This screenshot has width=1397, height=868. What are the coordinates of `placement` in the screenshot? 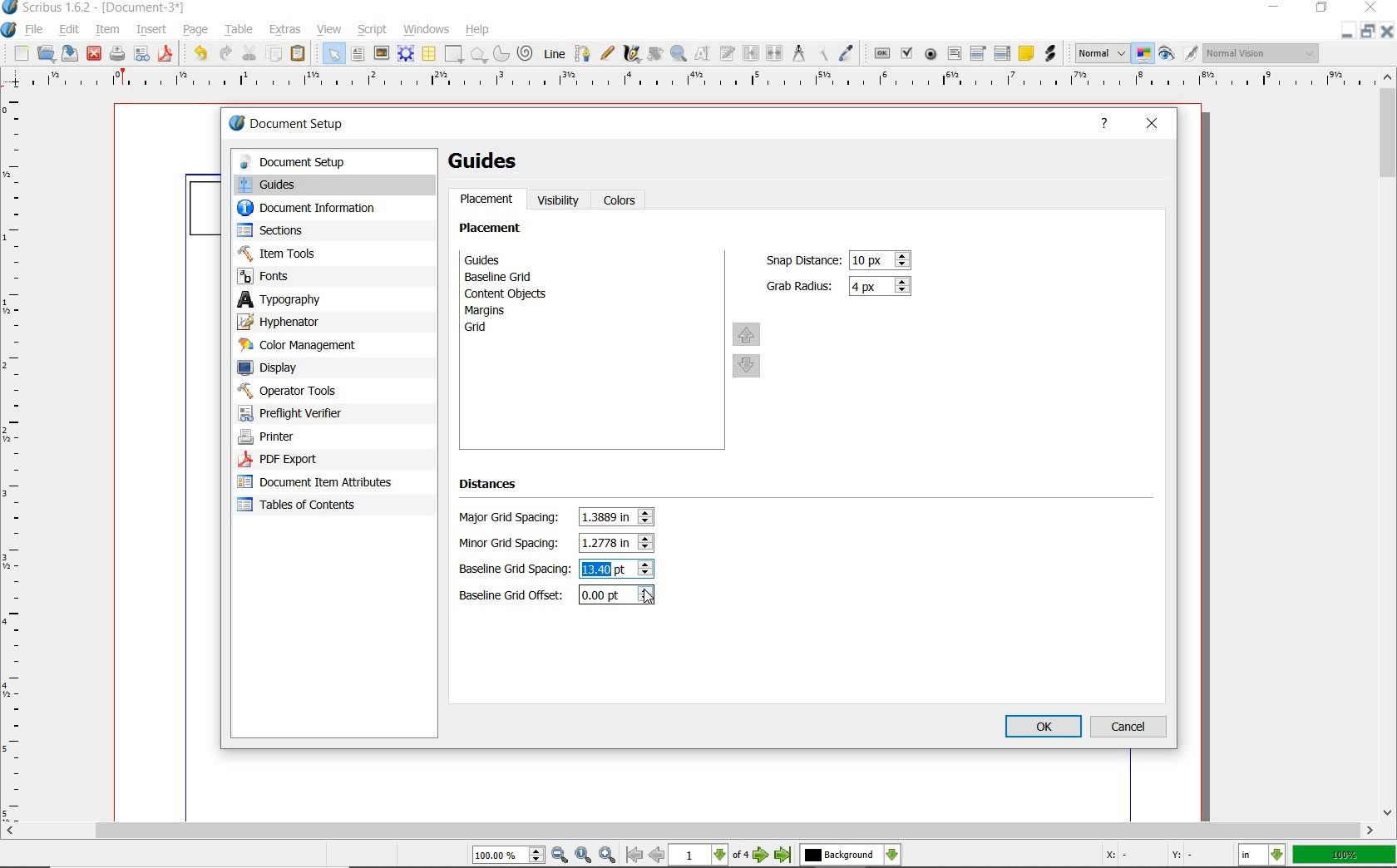 It's located at (495, 230).